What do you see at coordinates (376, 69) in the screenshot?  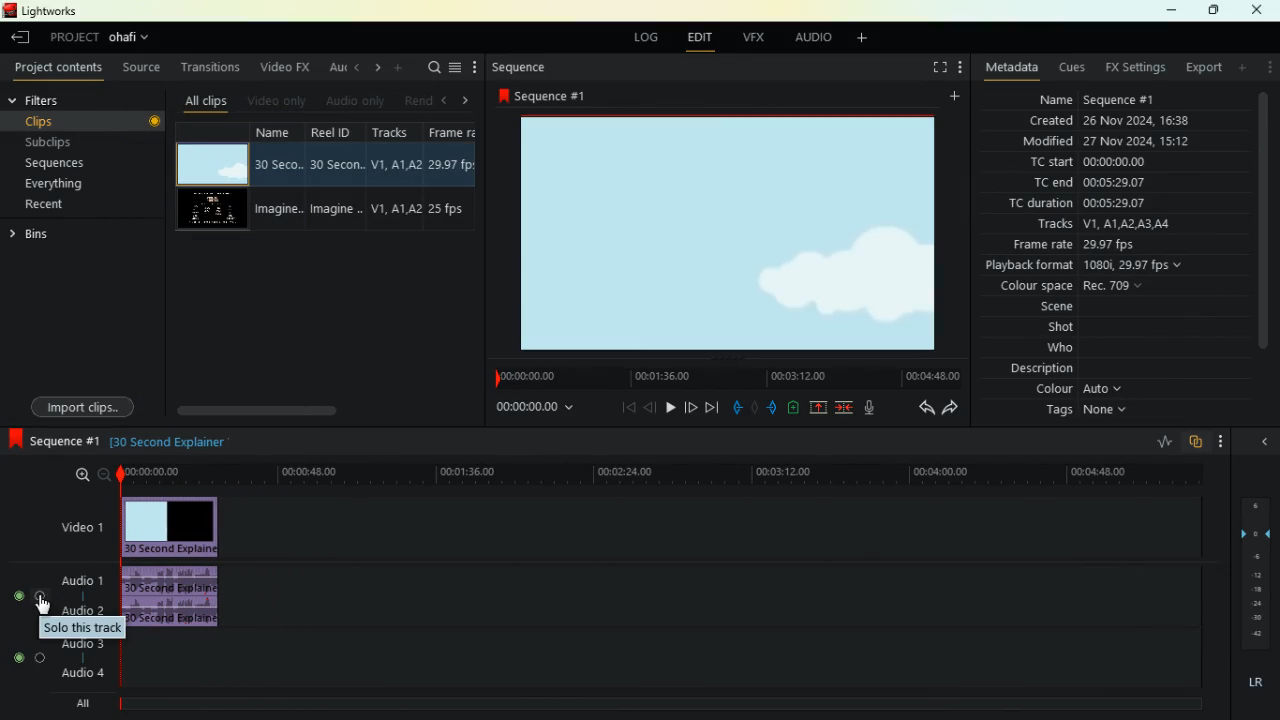 I see `right` at bounding box center [376, 69].